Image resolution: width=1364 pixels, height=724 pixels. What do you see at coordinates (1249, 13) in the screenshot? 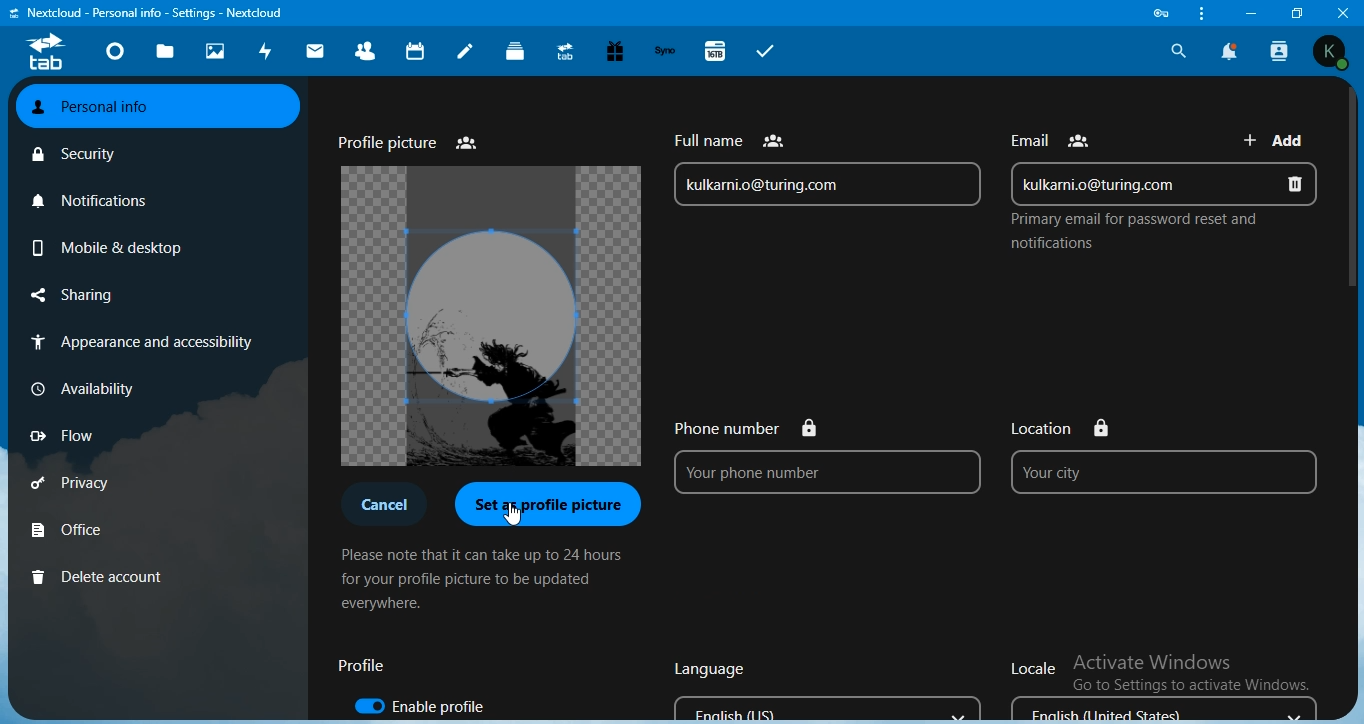
I see `minimize` at bounding box center [1249, 13].